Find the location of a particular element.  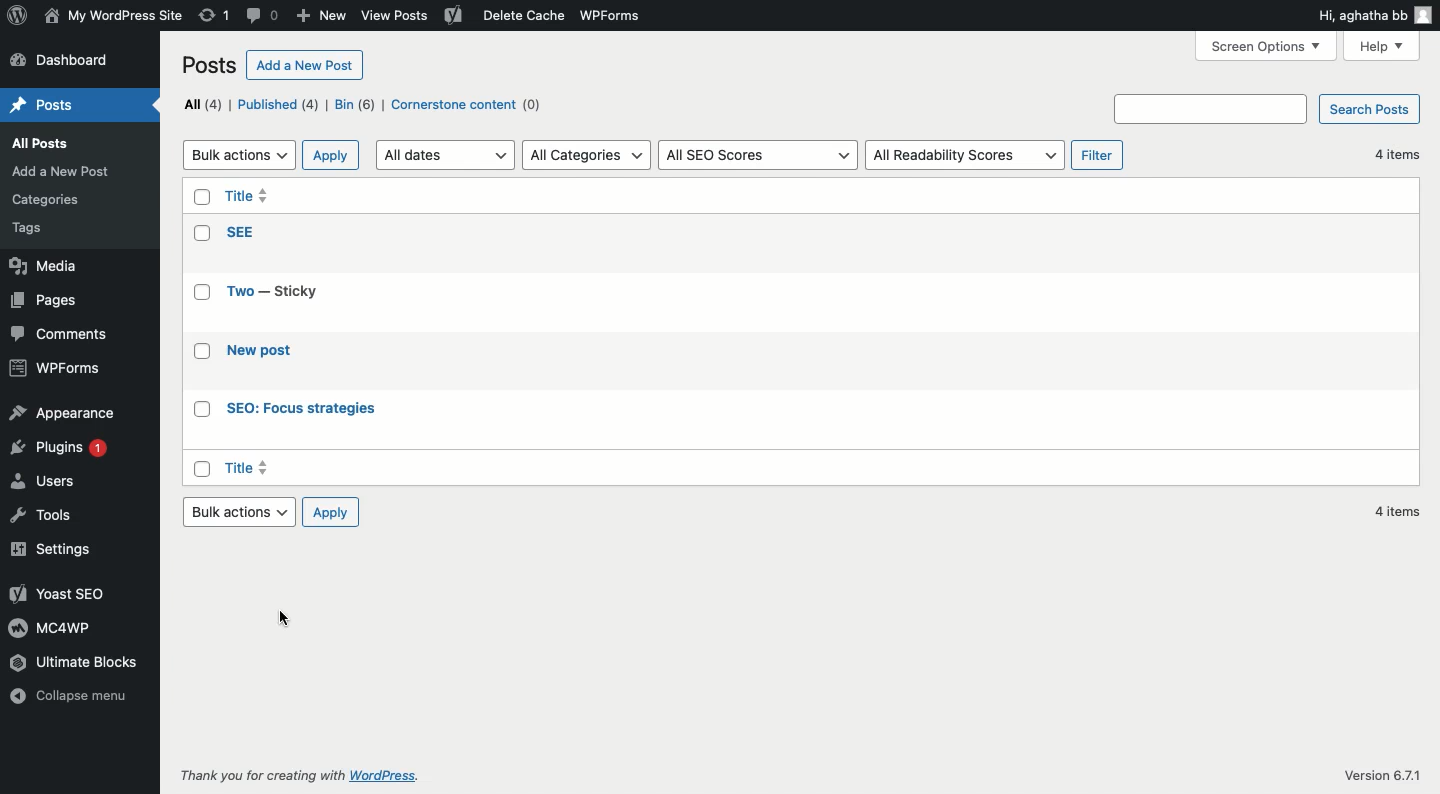

Search posts is located at coordinates (1372, 108).